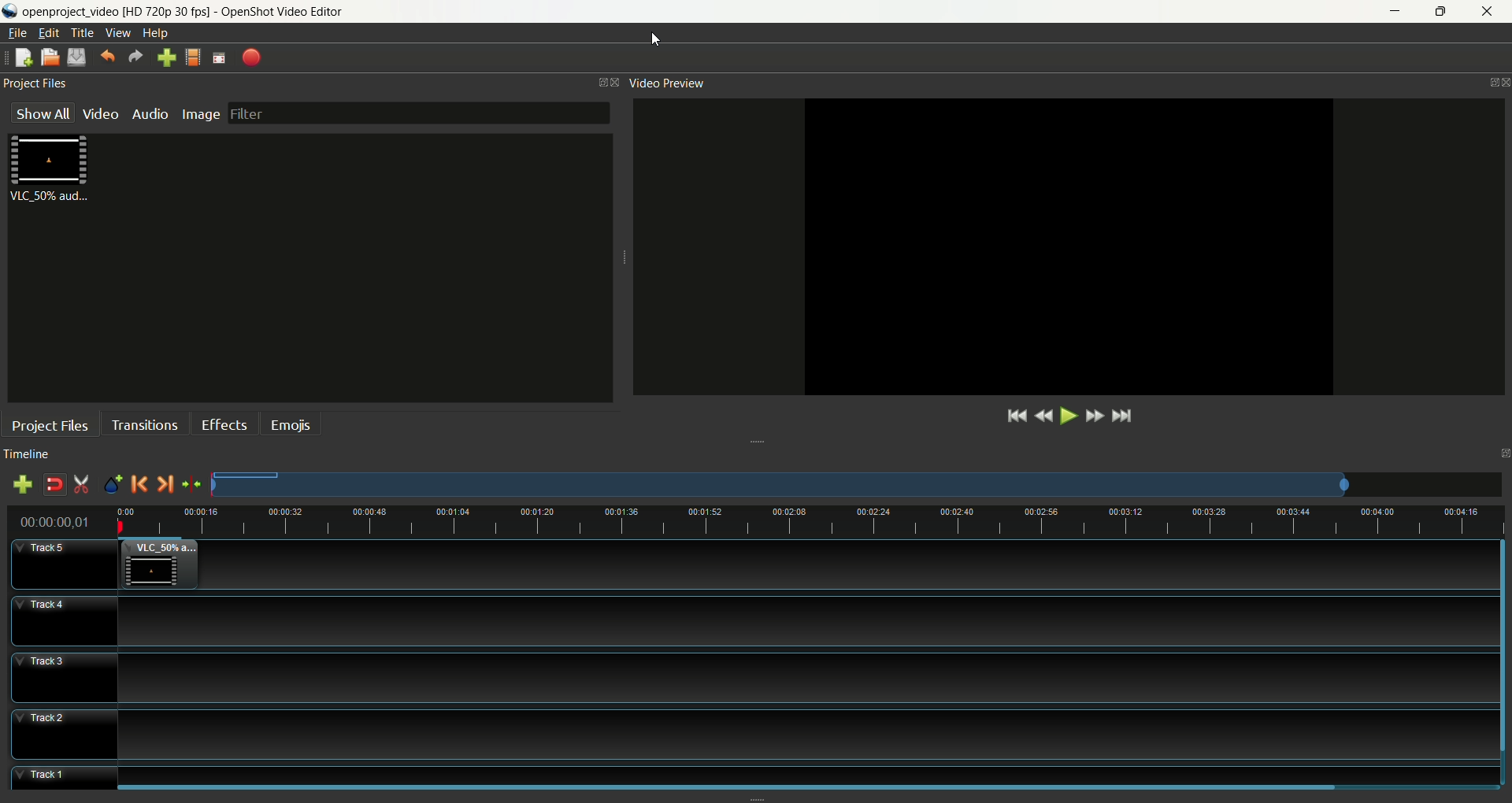  I want to click on video, so click(101, 116).